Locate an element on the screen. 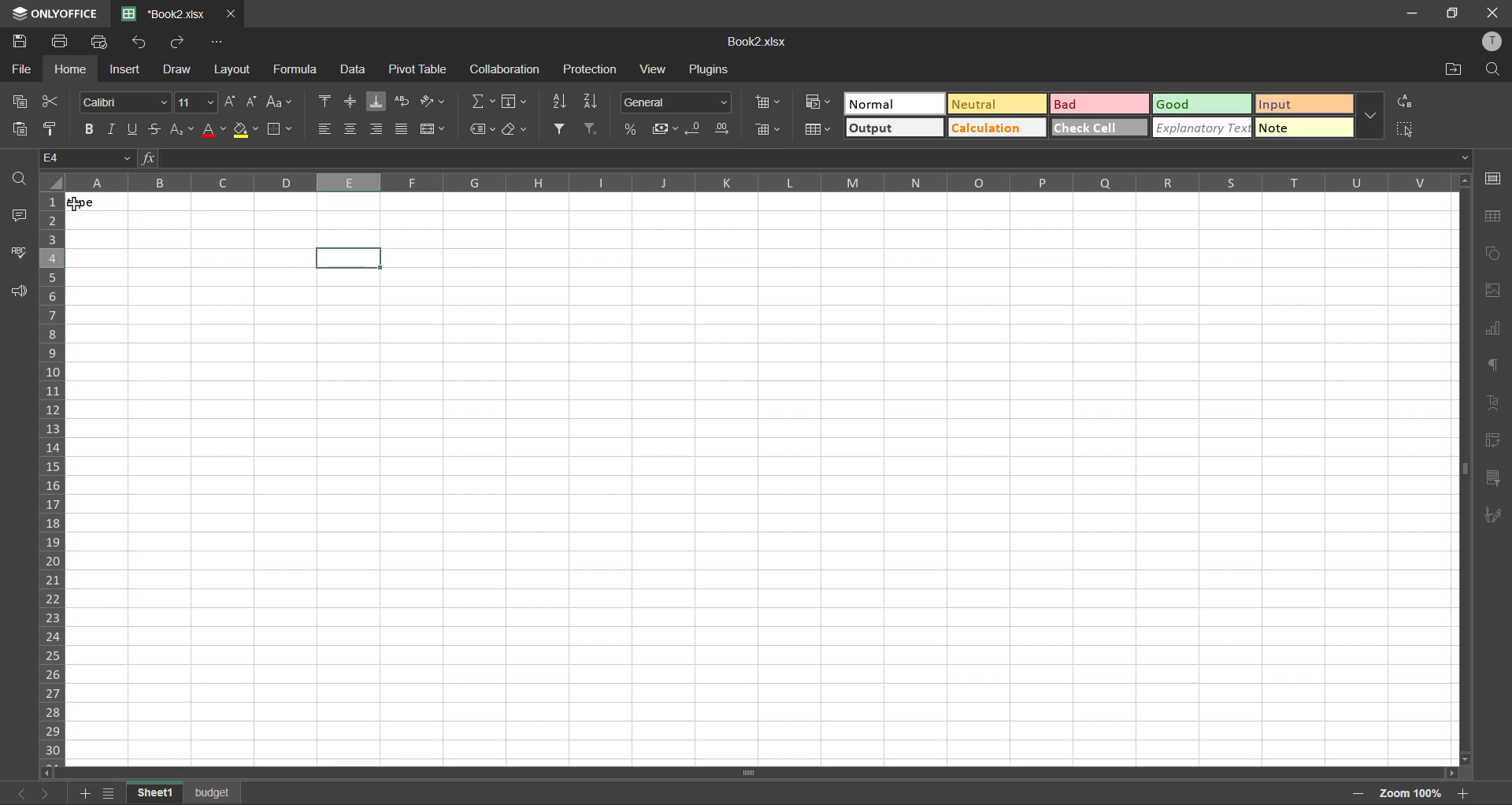 Image resolution: width=1512 pixels, height=805 pixels. check cell is located at coordinates (1099, 128).